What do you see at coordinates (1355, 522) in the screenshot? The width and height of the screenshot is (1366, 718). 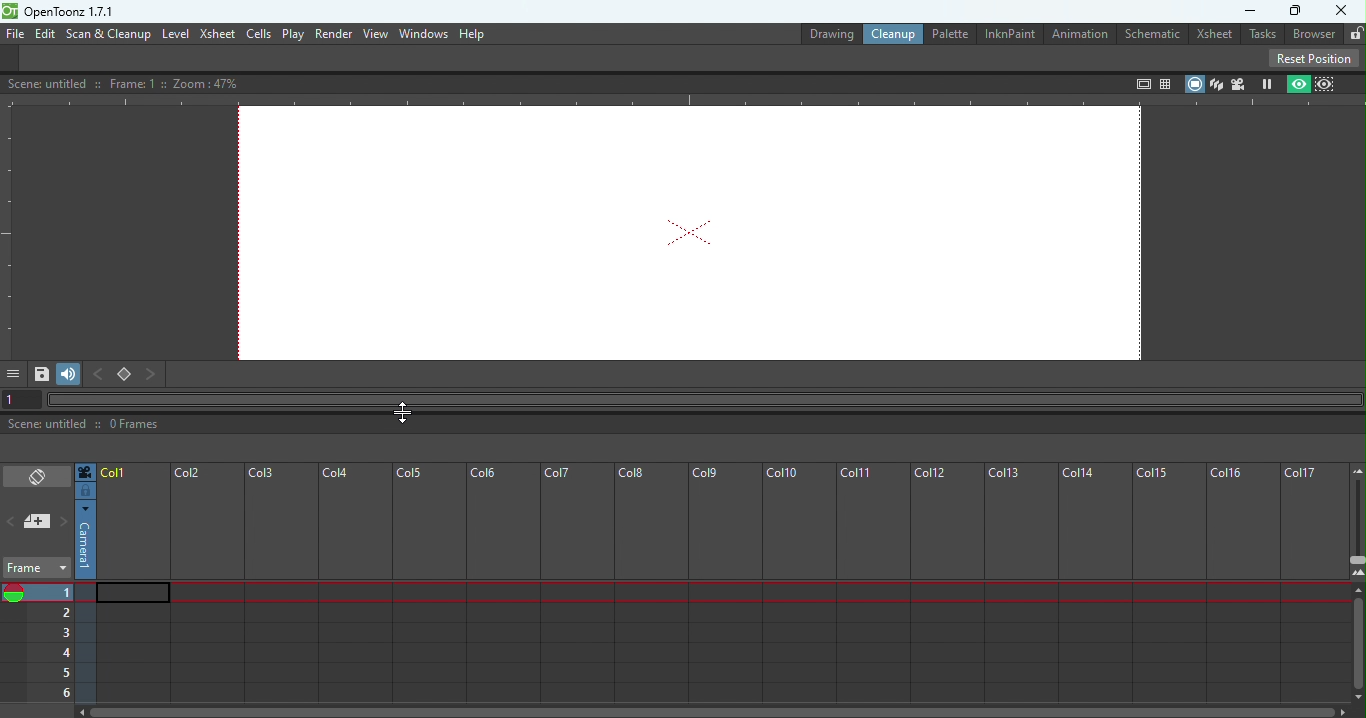 I see `Zoom in/out of Xsheet` at bounding box center [1355, 522].